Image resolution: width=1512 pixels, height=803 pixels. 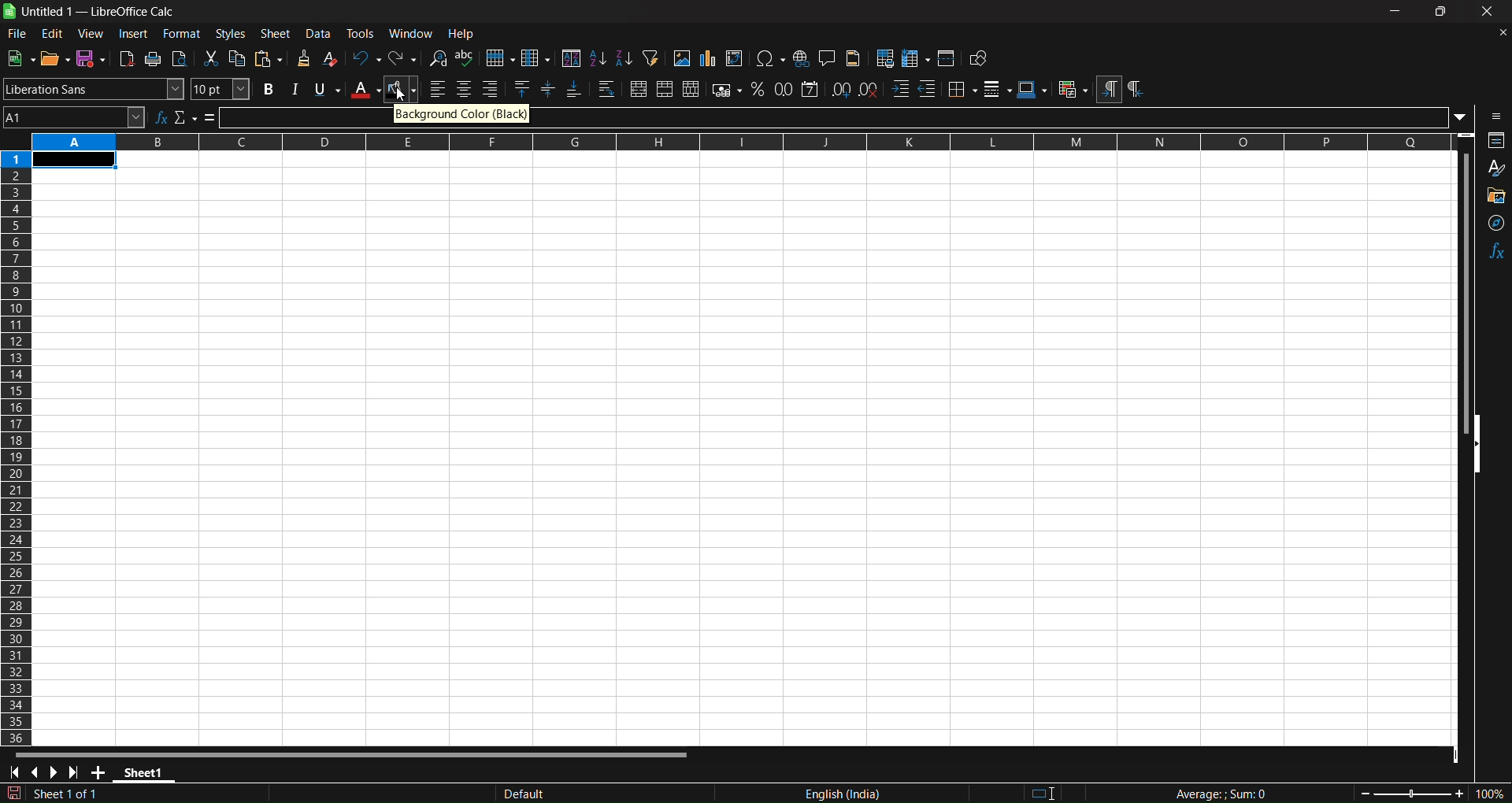 I want to click on close, so click(x=1486, y=11).